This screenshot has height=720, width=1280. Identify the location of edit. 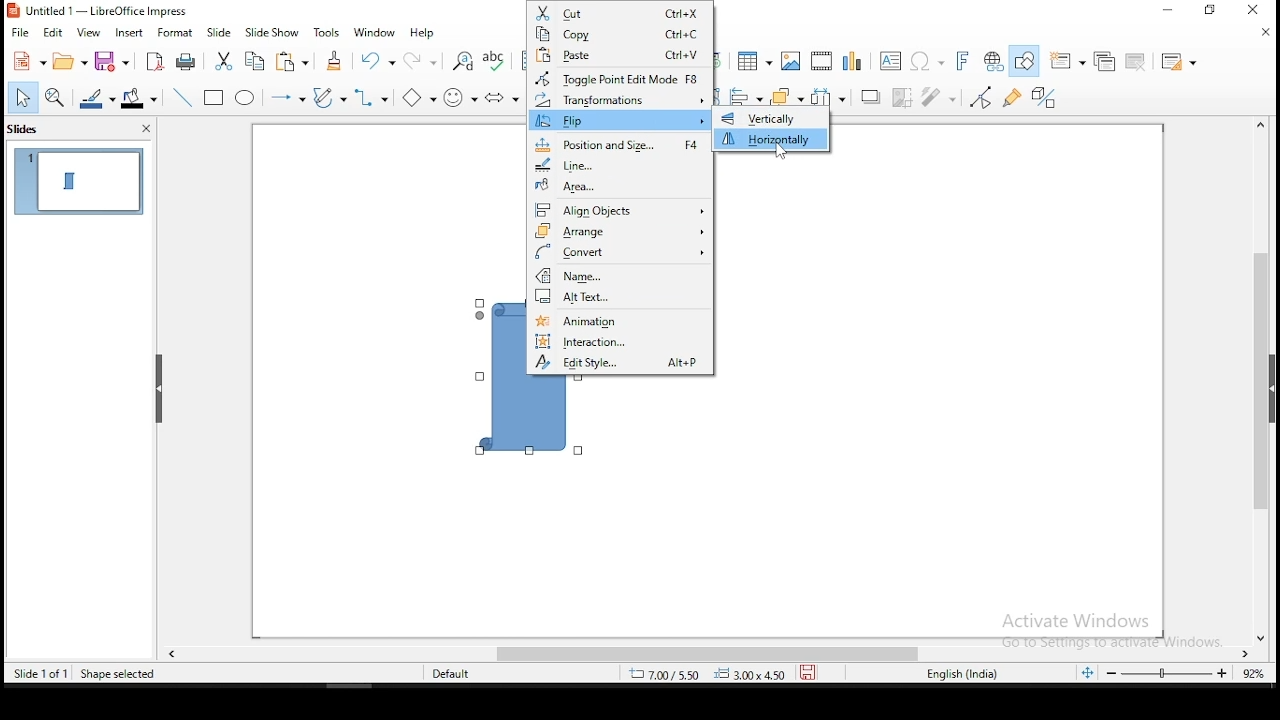
(51, 34).